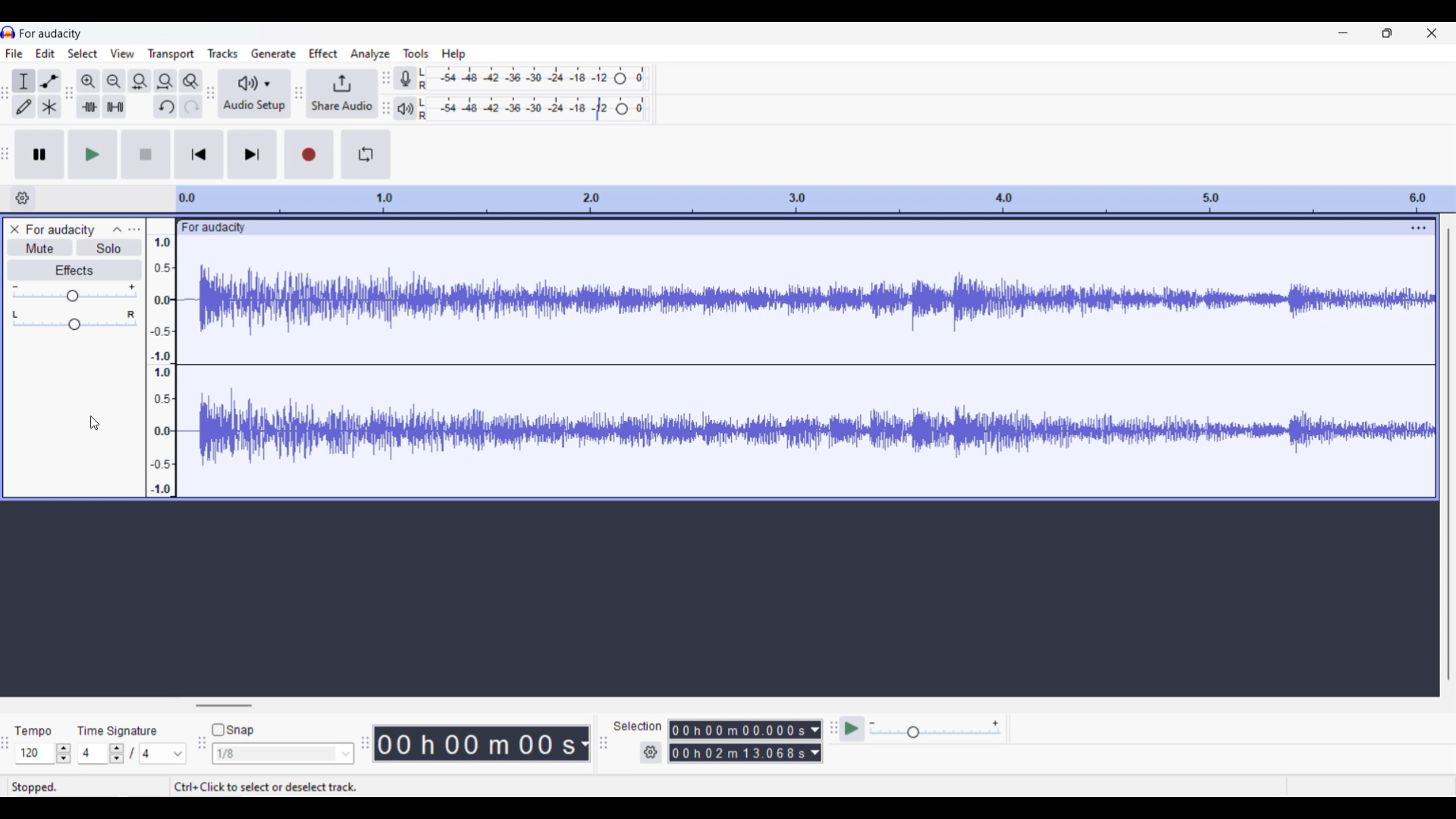  Describe the element at coordinates (815, 199) in the screenshot. I see `Scale to measure length of track` at that location.